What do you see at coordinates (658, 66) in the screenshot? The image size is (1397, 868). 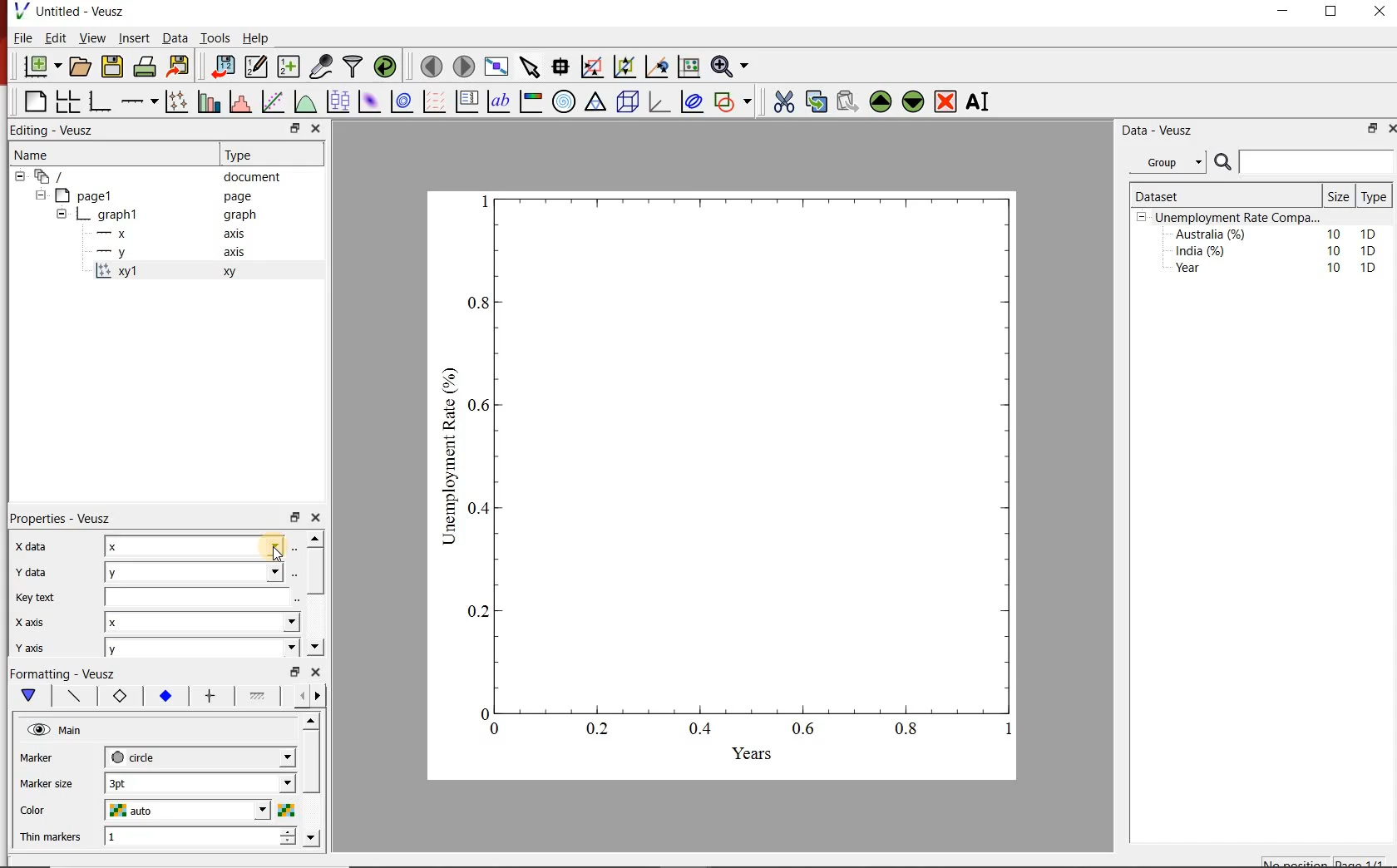 I see `click to recenter graph axes` at bounding box center [658, 66].